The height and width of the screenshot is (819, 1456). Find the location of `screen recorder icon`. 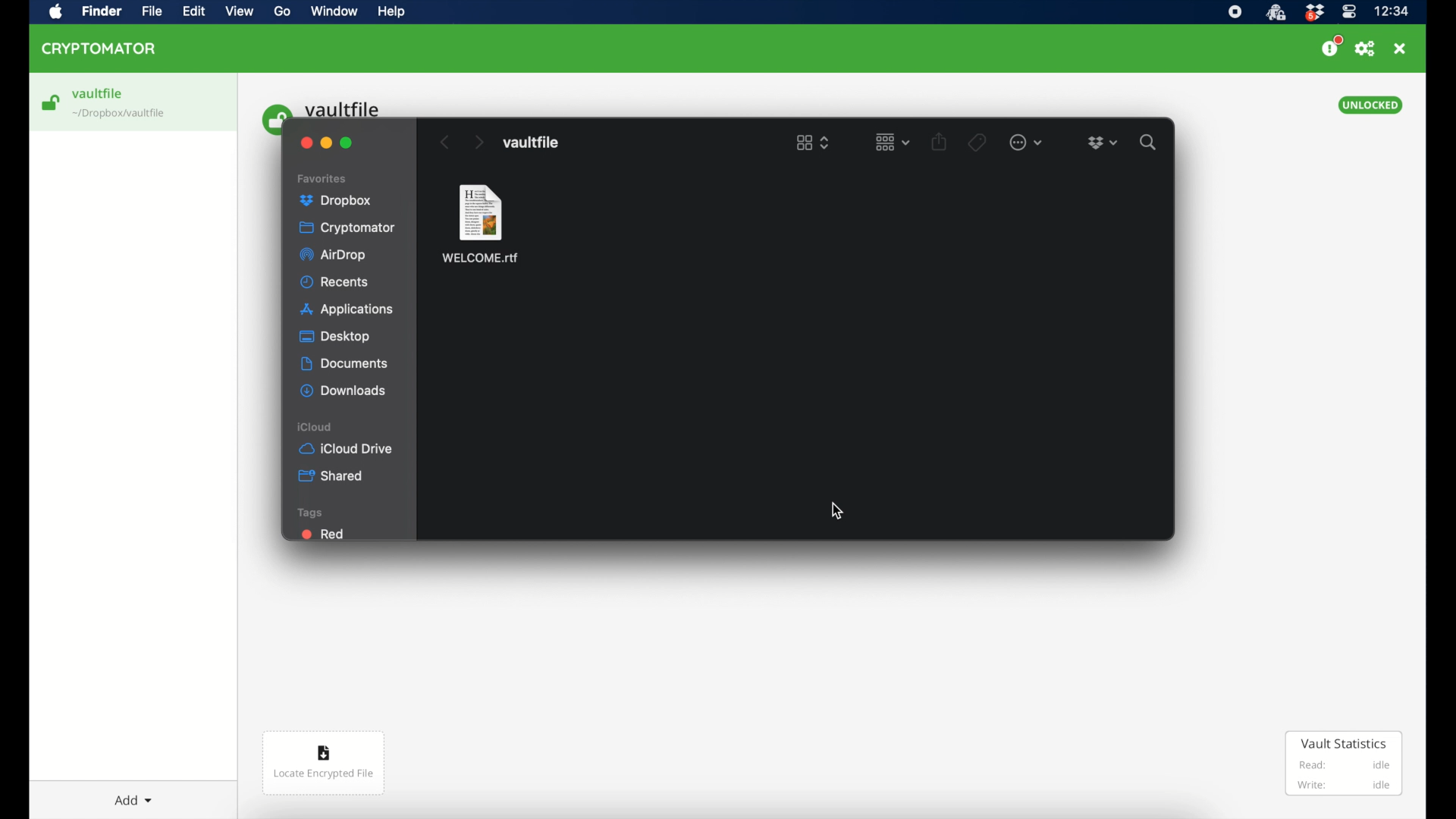

screen recorder icon is located at coordinates (1236, 11).